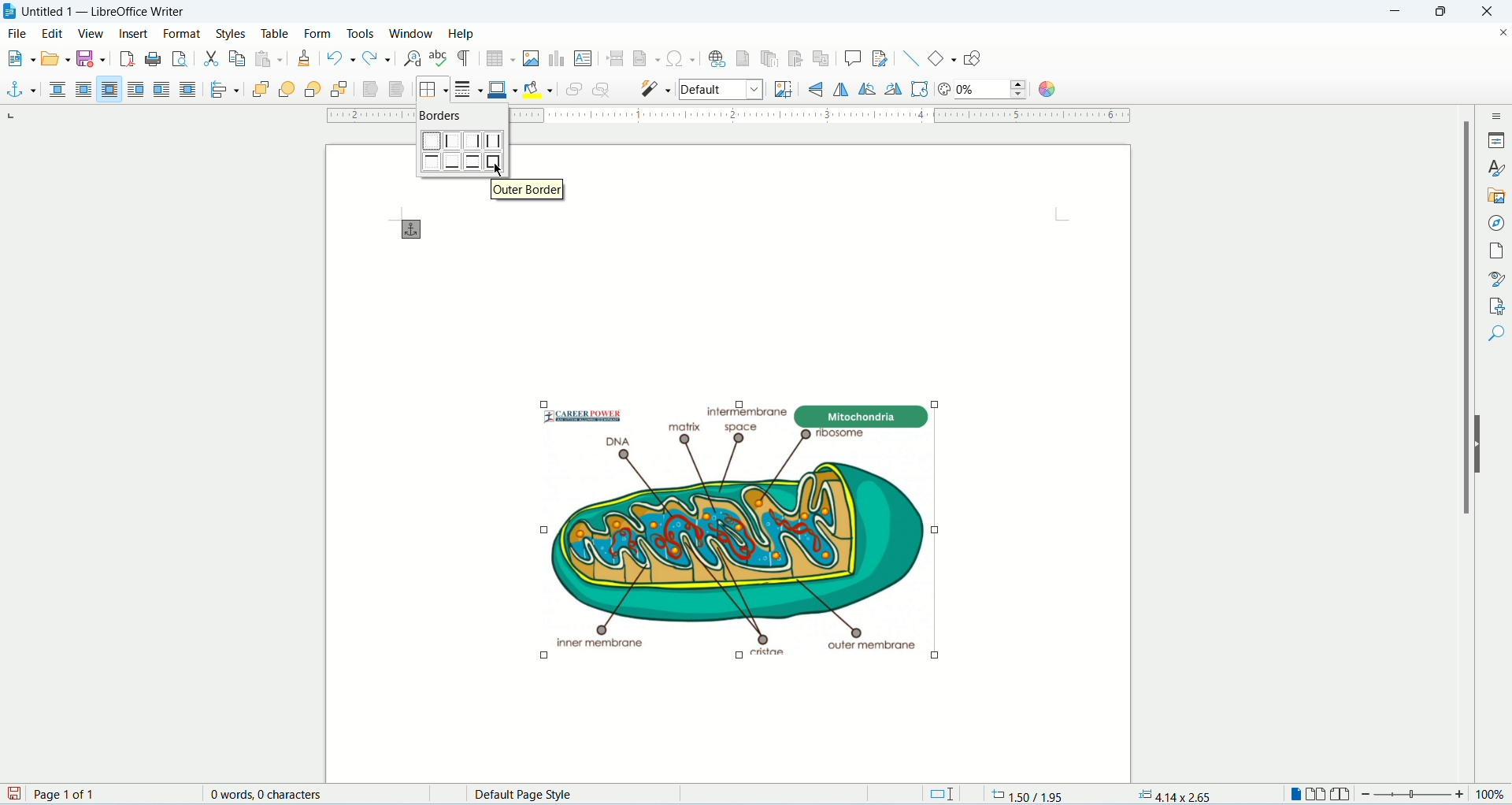  I want to click on zoom bar, so click(1414, 795).